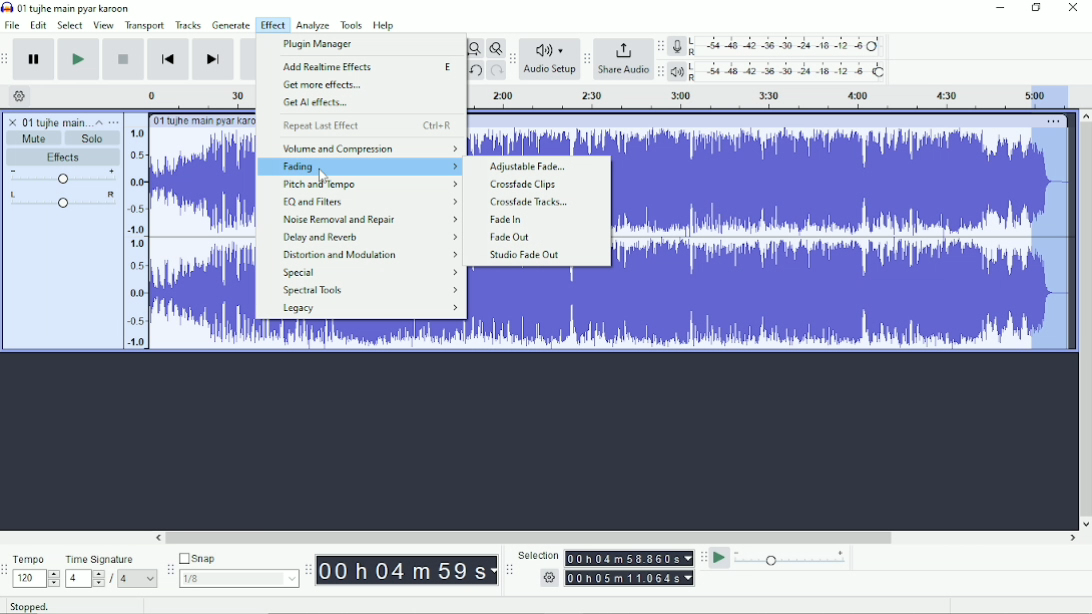  Describe the element at coordinates (111, 559) in the screenshot. I see `Time signature` at that location.